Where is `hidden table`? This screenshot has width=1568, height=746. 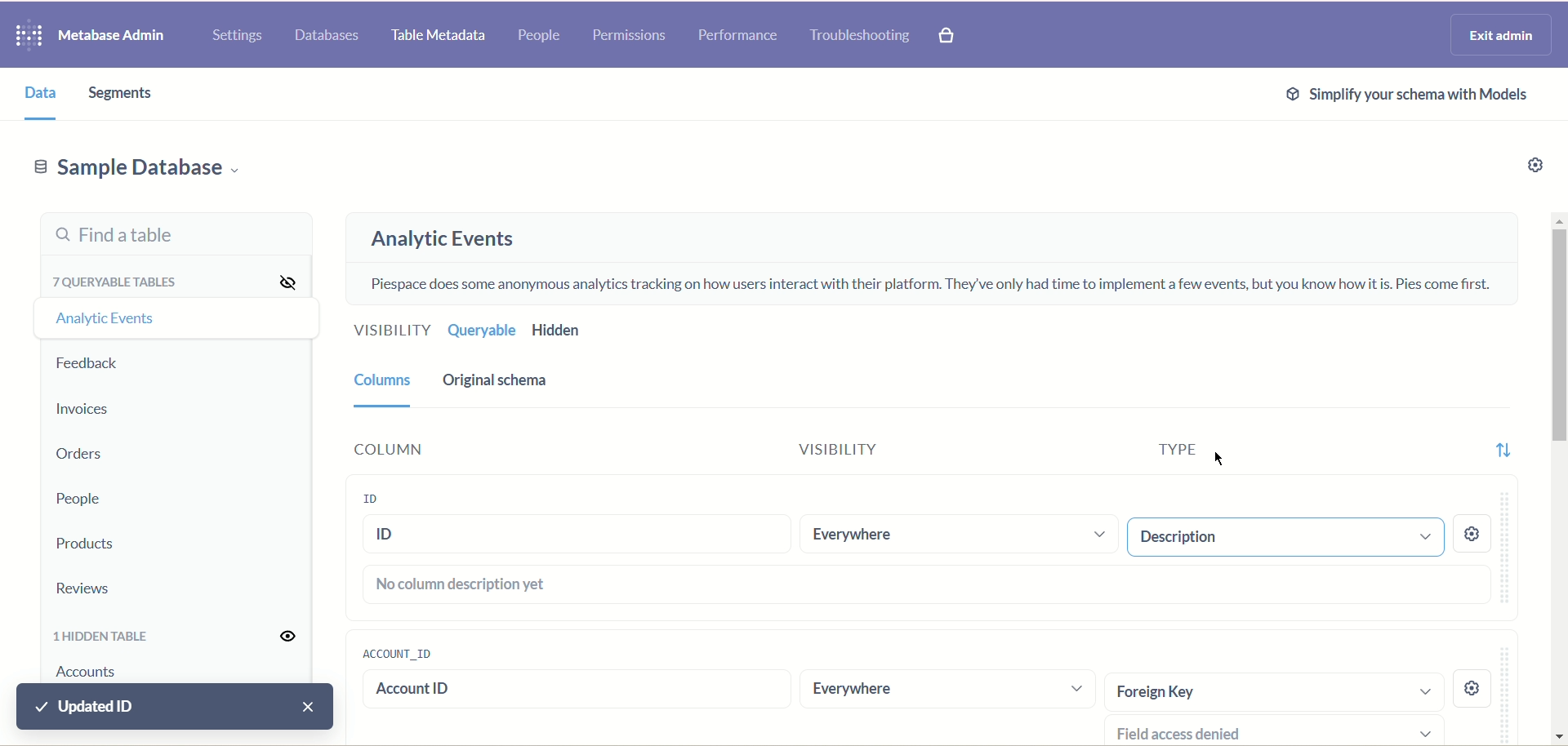
hidden table is located at coordinates (102, 639).